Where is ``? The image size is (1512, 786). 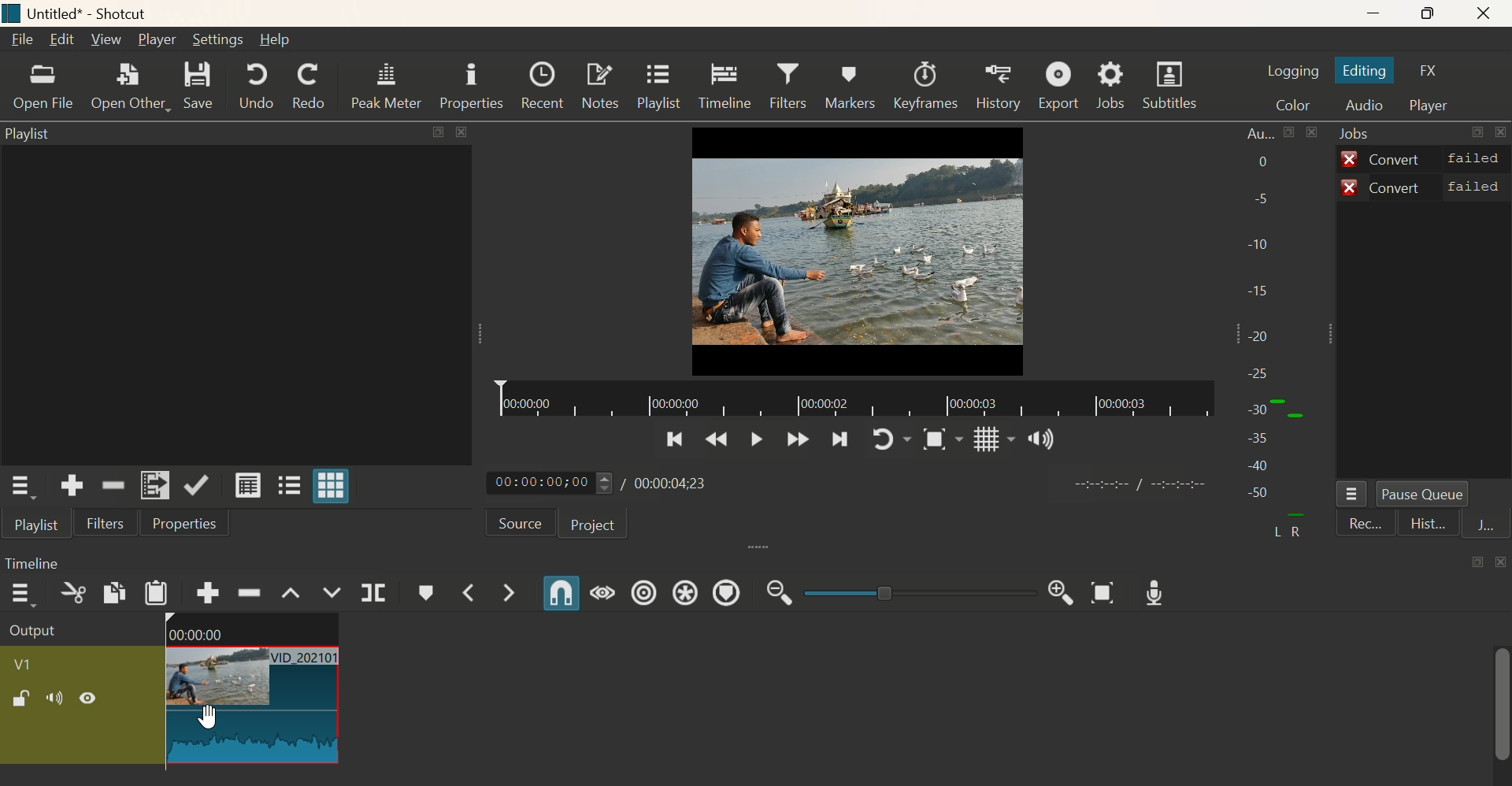  is located at coordinates (726, 593).